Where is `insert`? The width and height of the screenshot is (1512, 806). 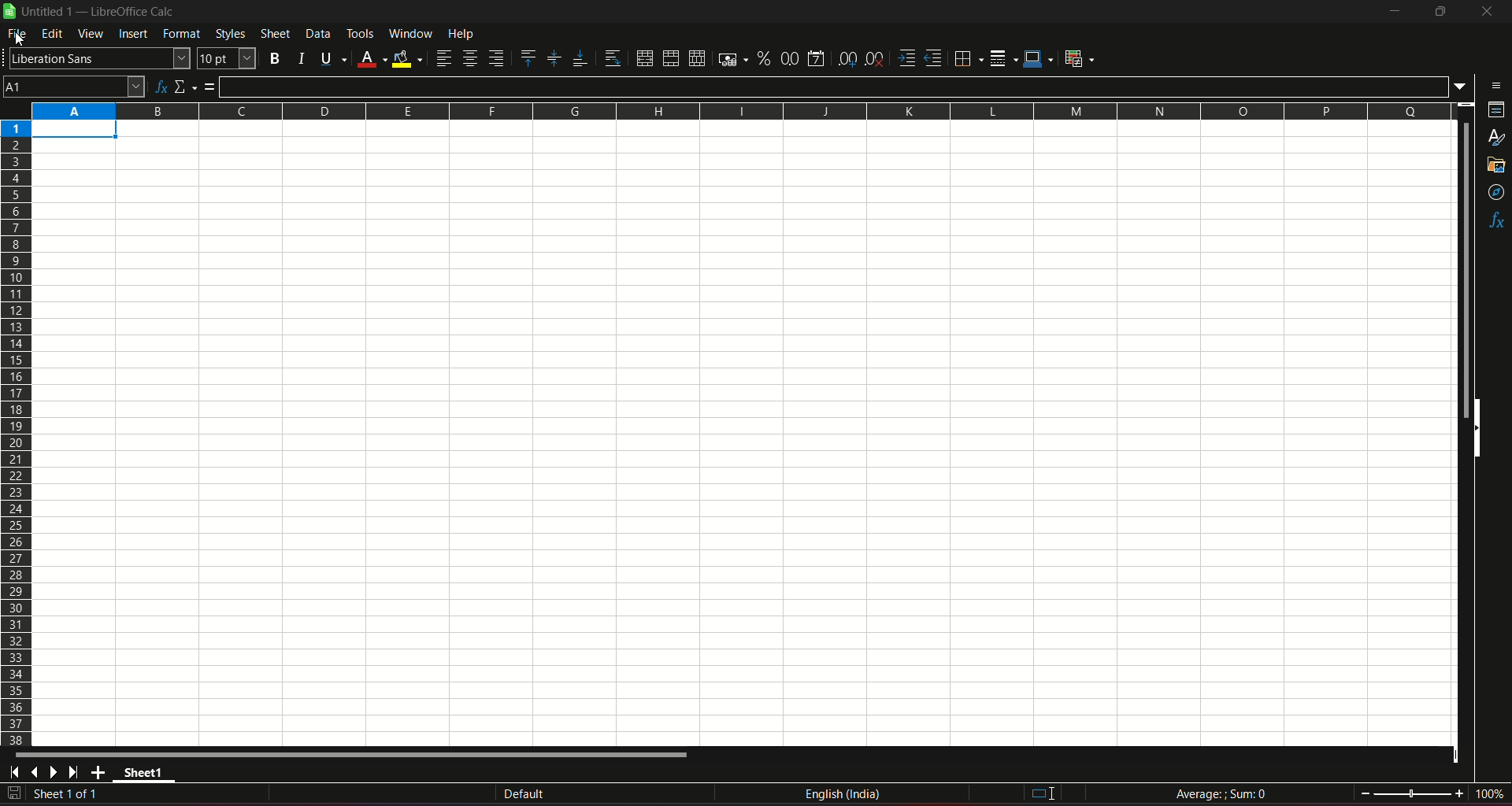
insert is located at coordinates (133, 35).